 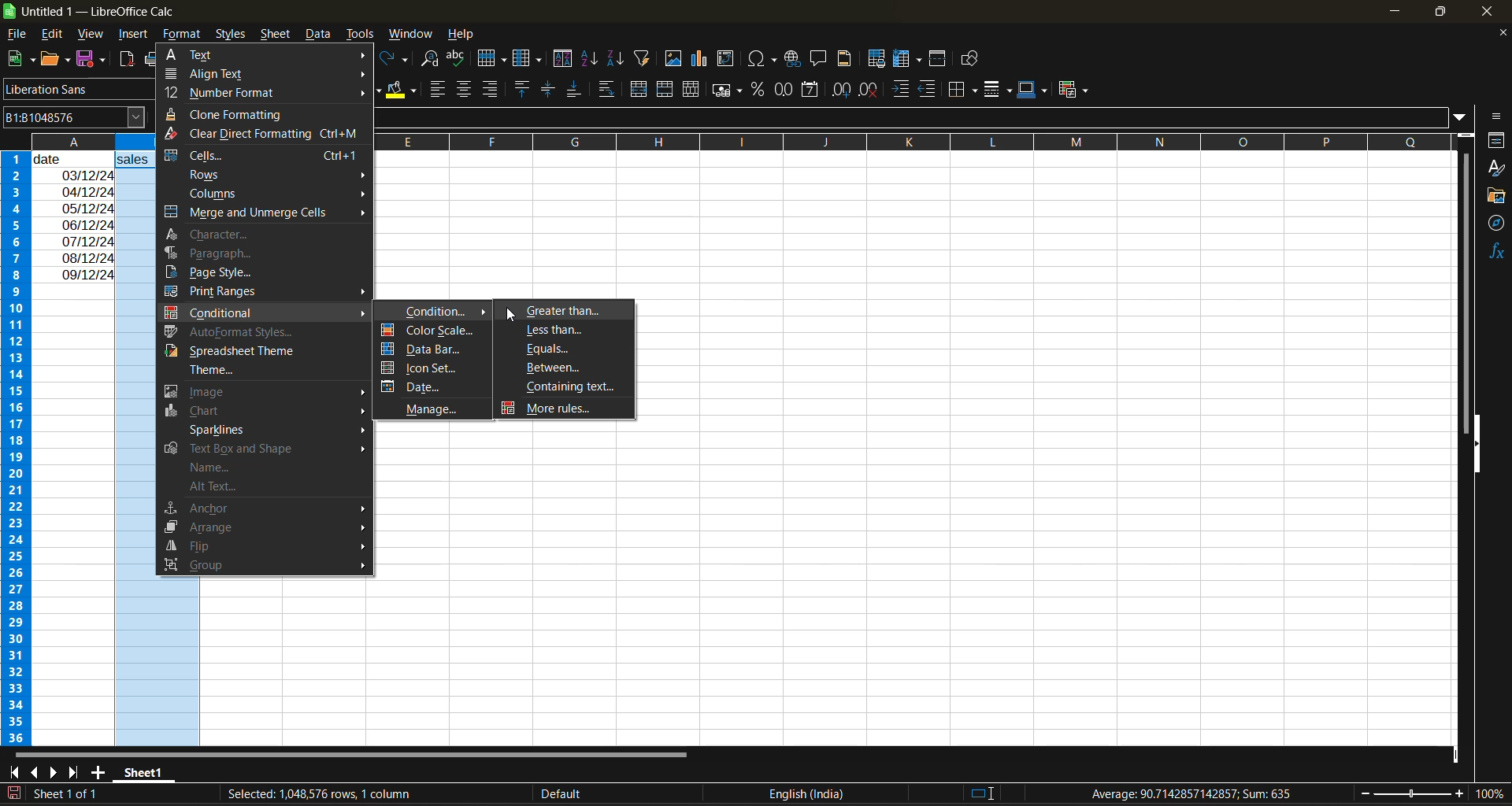 I want to click on cells, so click(x=261, y=154).